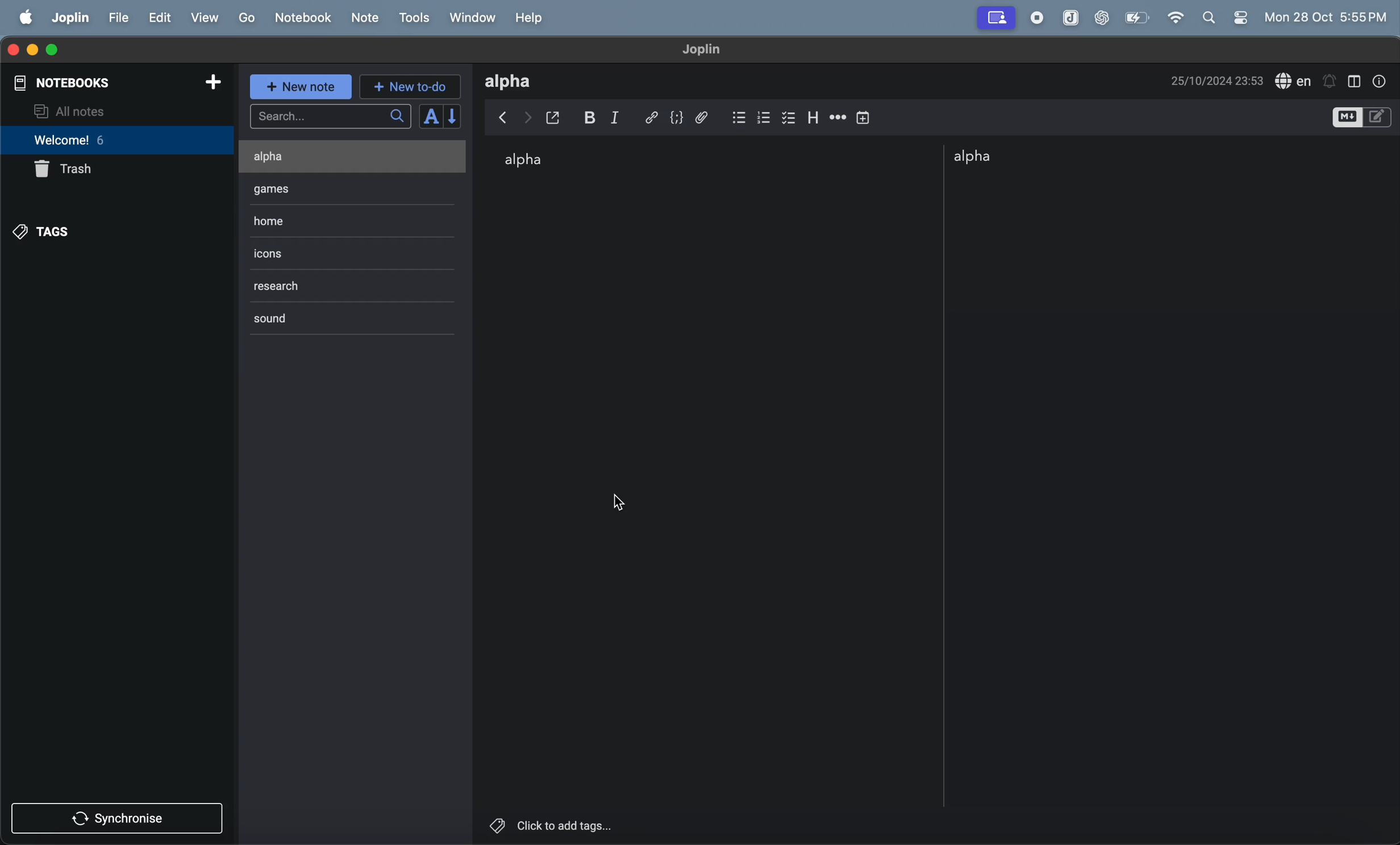  What do you see at coordinates (738, 115) in the screenshot?
I see `bullet list` at bounding box center [738, 115].